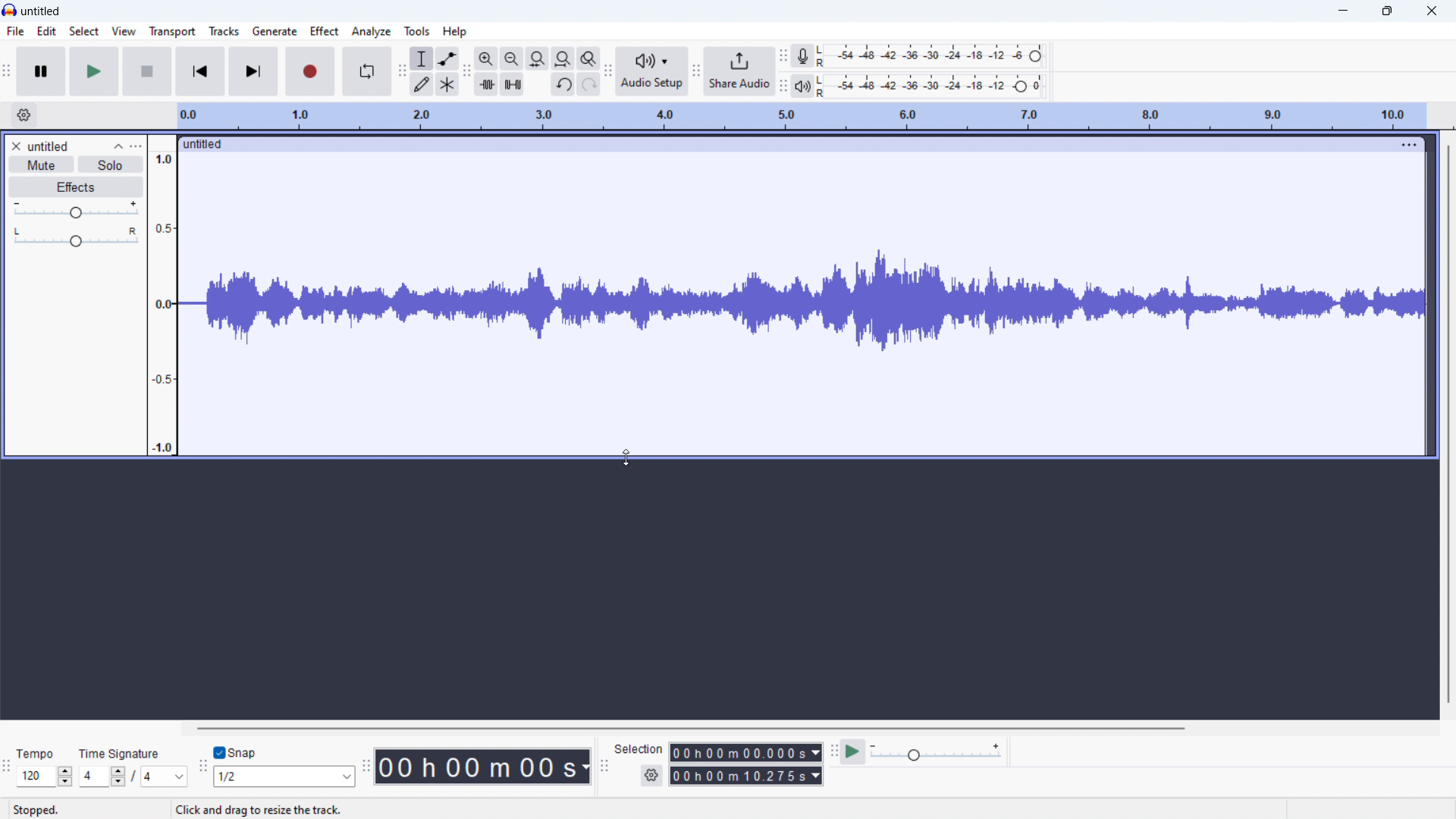  Describe the element at coordinates (626, 460) in the screenshot. I see `cursor` at that location.